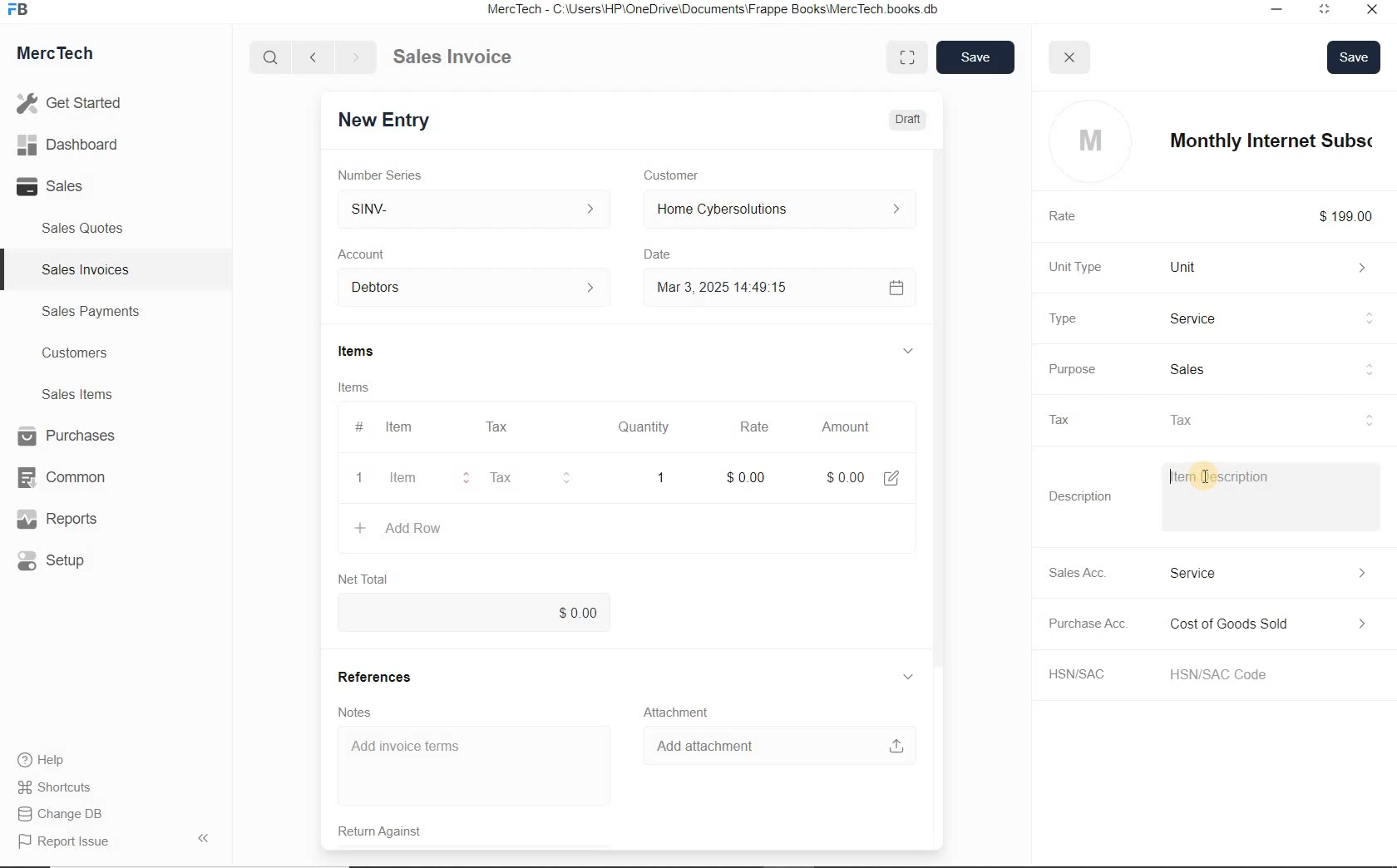  What do you see at coordinates (909, 58) in the screenshot?
I see `Toggle between form and full width` at bounding box center [909, 58].